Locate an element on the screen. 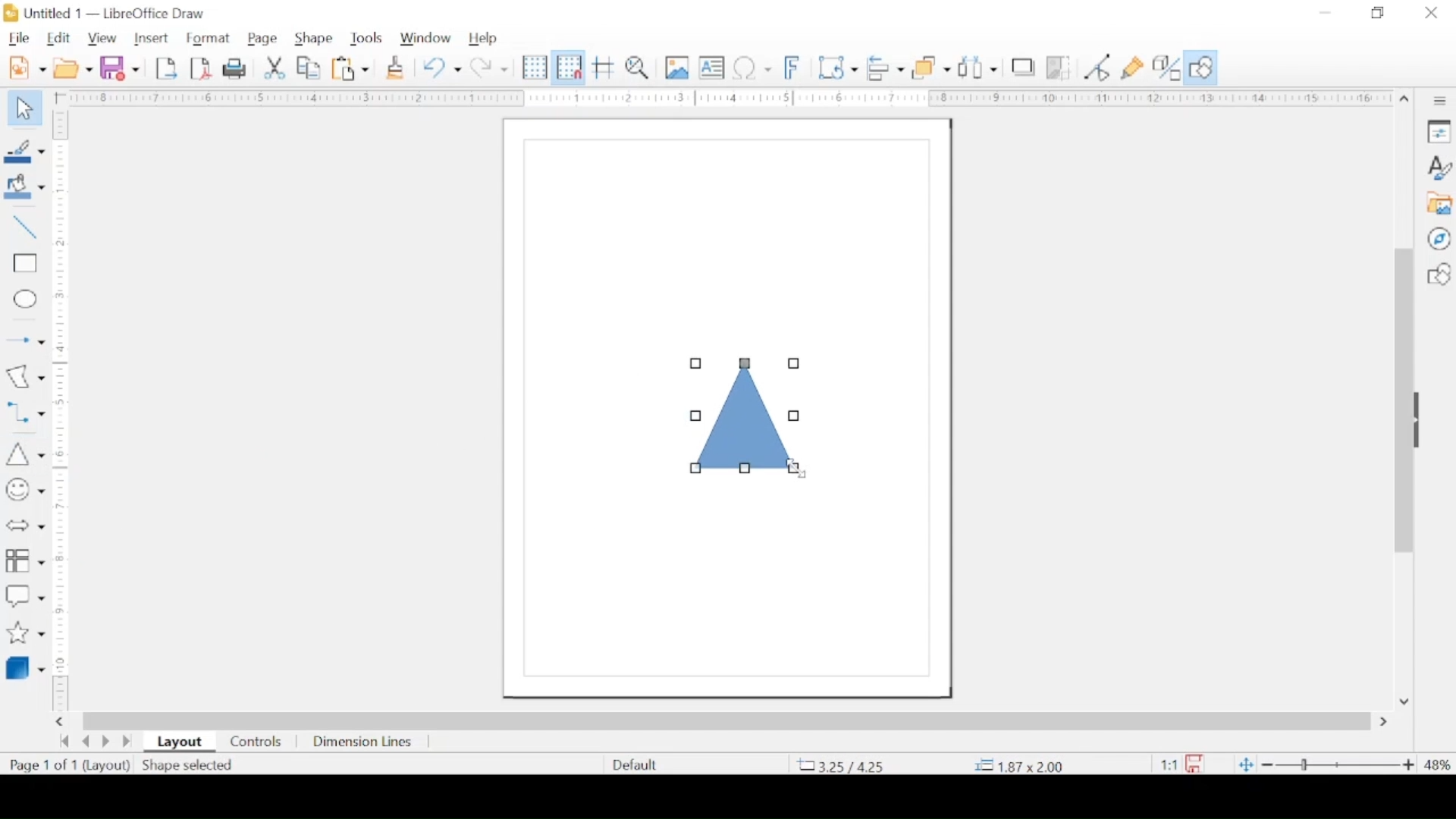  page count is located at coordinates (43, 765).